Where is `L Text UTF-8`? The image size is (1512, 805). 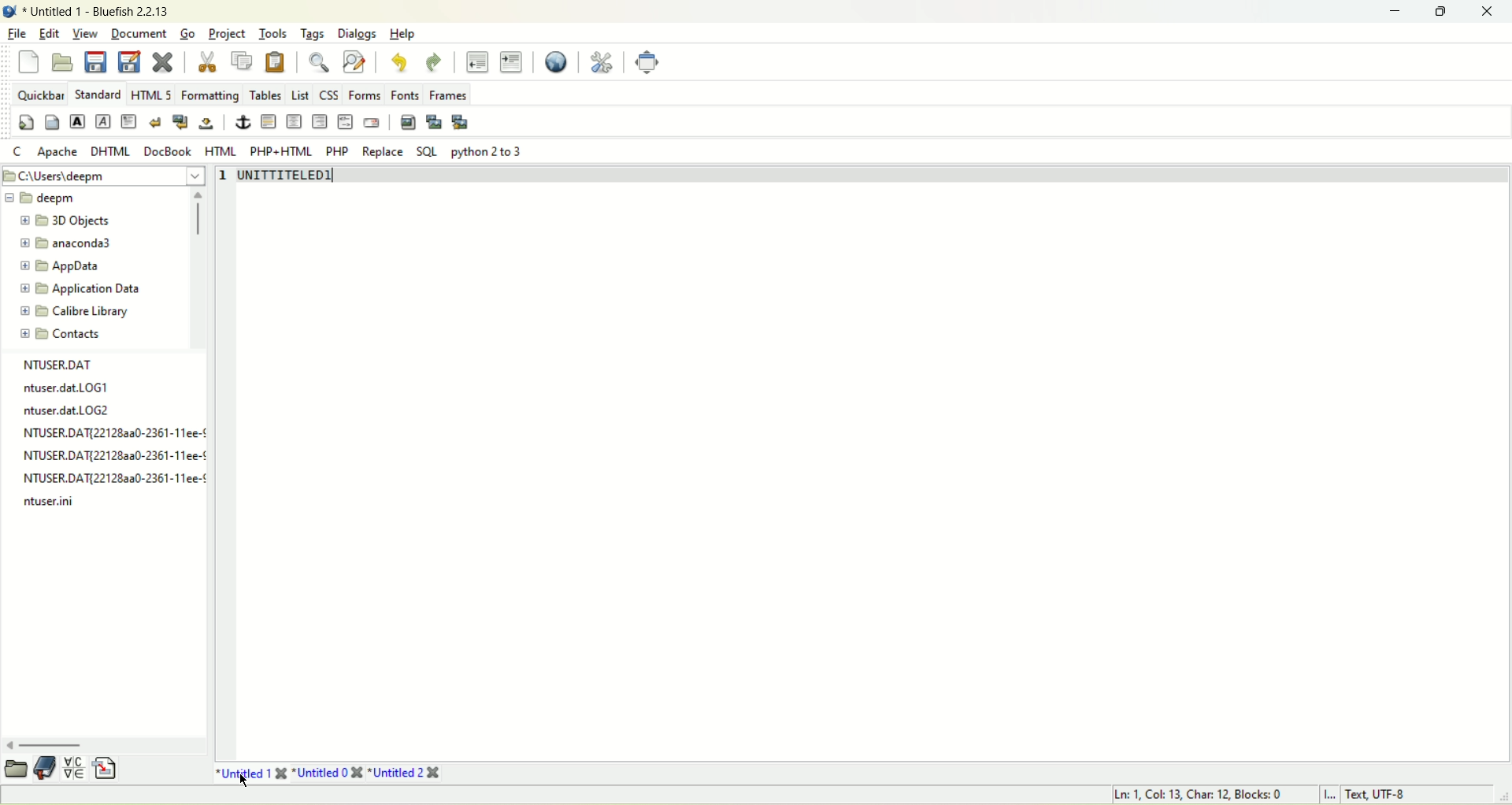
L Text UTF-8 is located at coordinates (1362, 793).